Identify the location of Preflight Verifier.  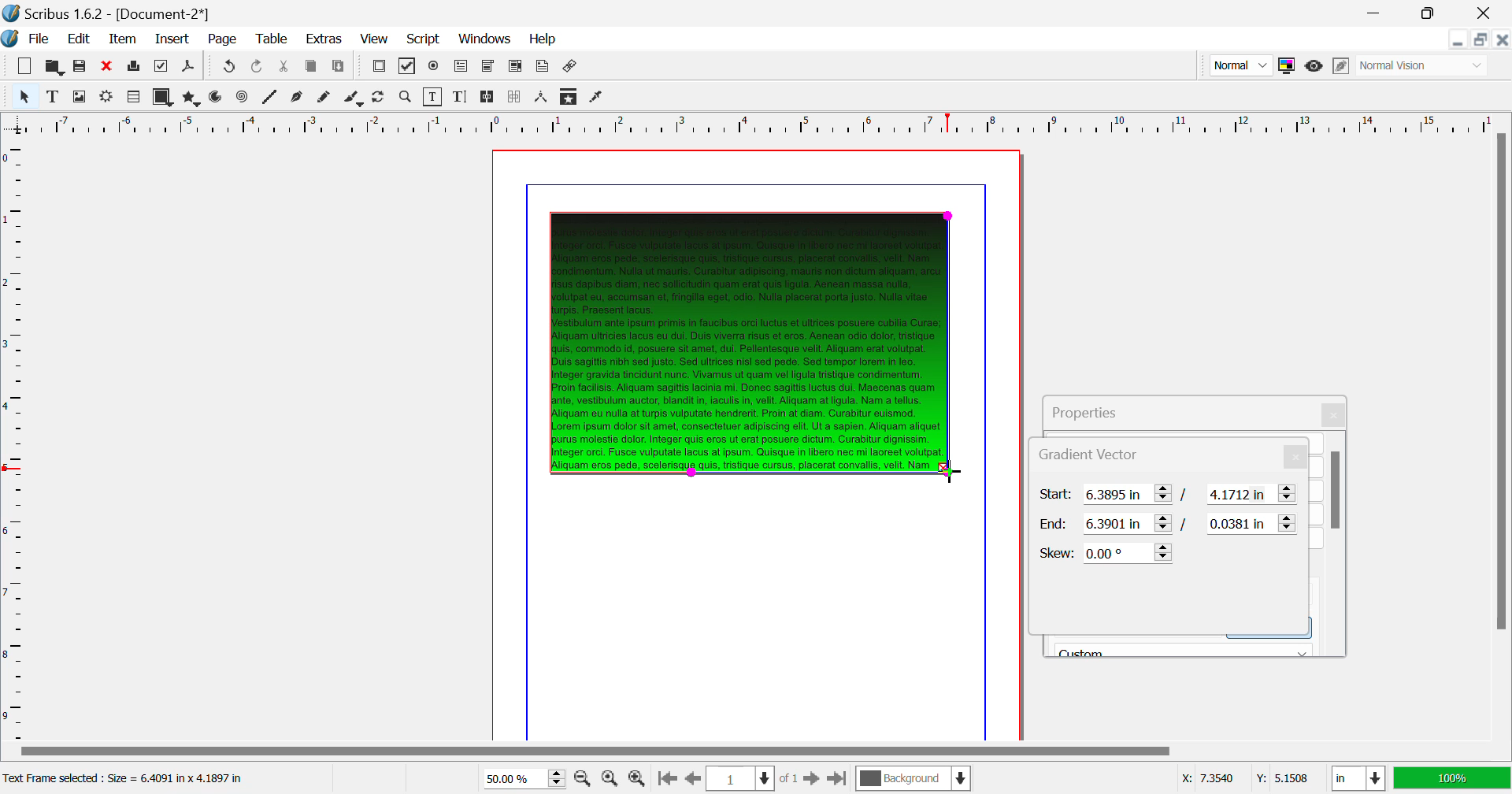
(162, 66).